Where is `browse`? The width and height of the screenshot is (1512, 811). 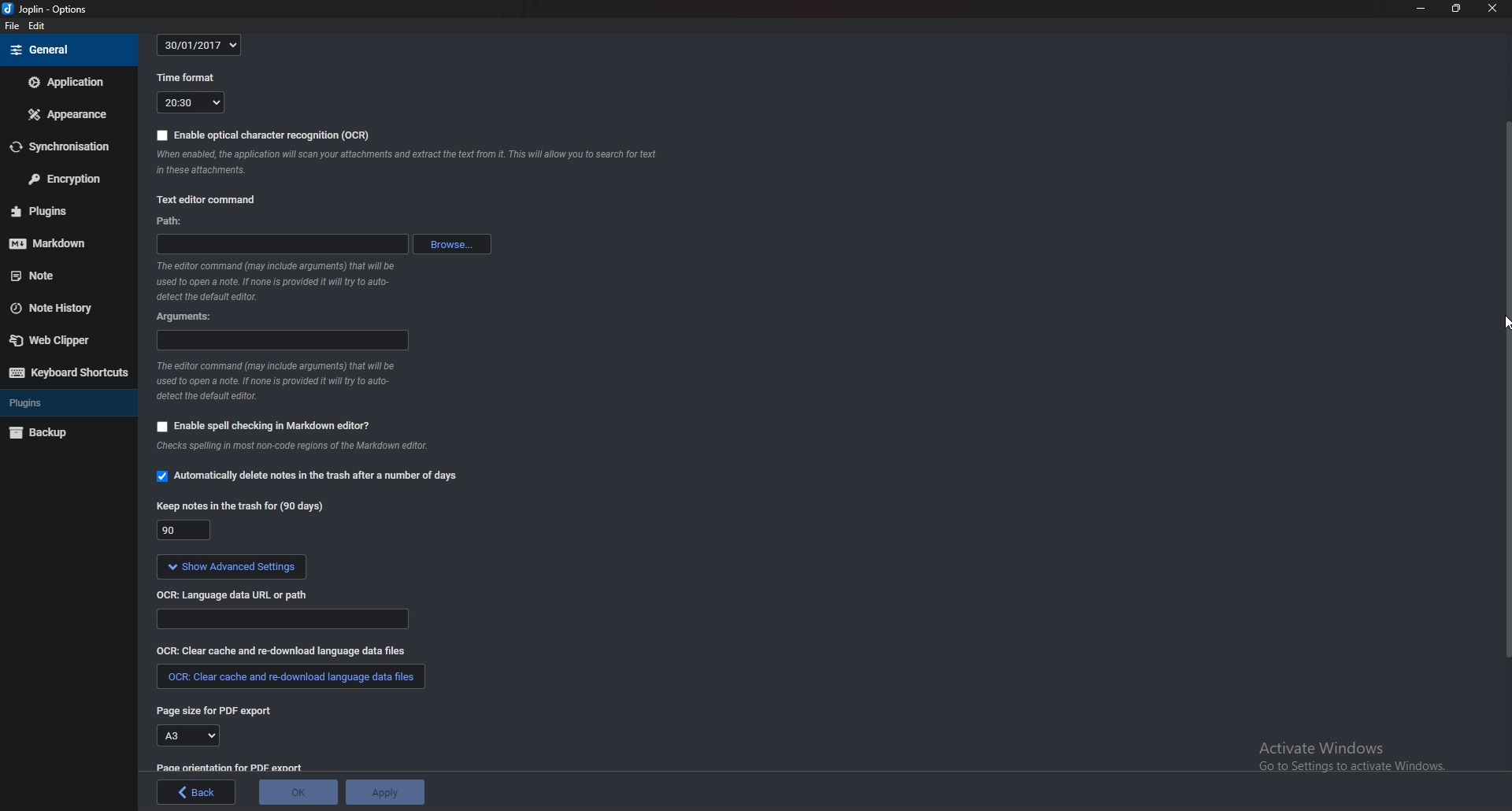
browse is located at coordinates (452, 243).